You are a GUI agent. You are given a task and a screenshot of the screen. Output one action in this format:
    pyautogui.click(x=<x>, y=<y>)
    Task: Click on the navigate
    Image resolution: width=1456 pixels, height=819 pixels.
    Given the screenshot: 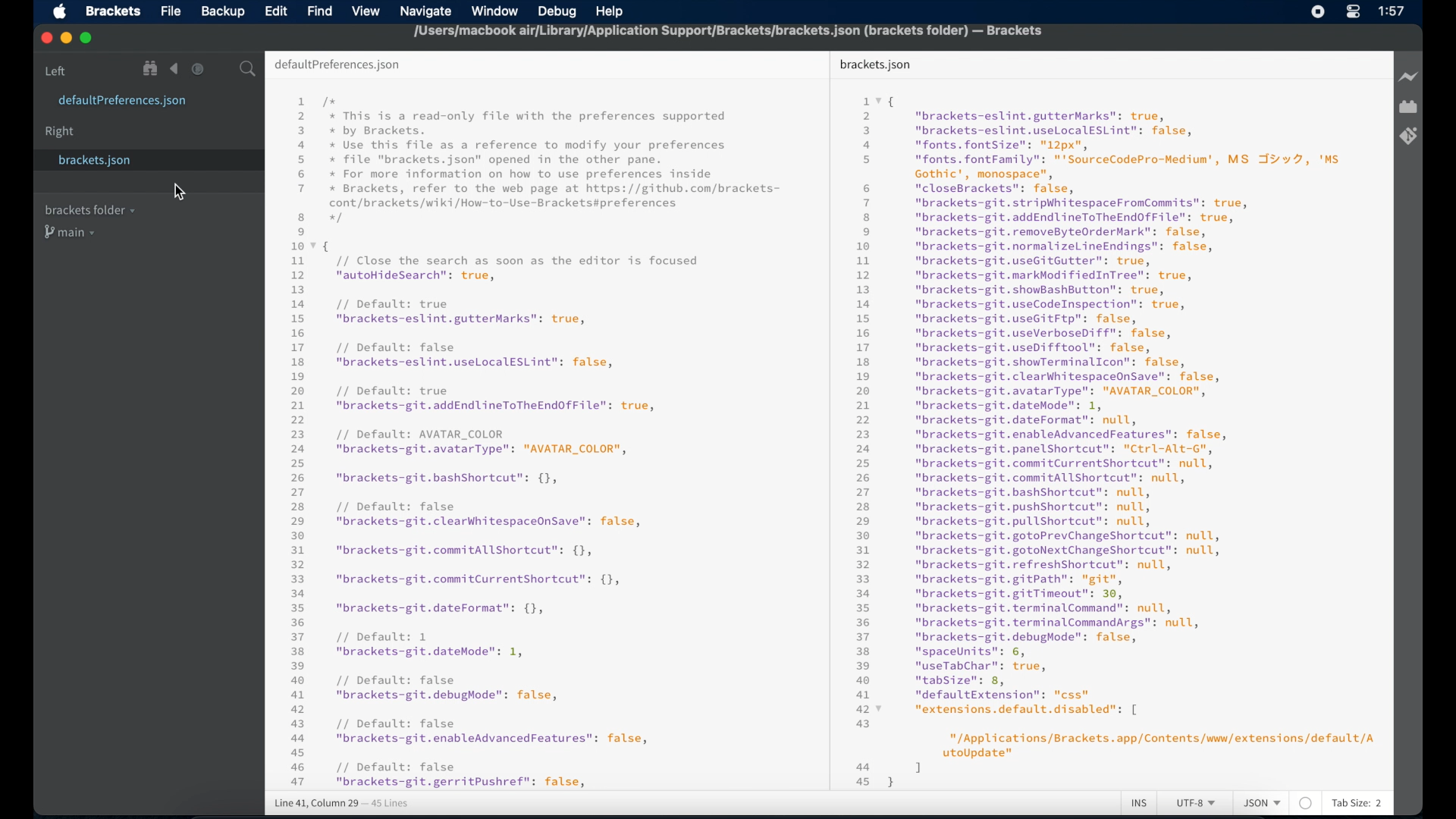 What is the action you would take?
    pyautogui.click(x=428, y=11)
    